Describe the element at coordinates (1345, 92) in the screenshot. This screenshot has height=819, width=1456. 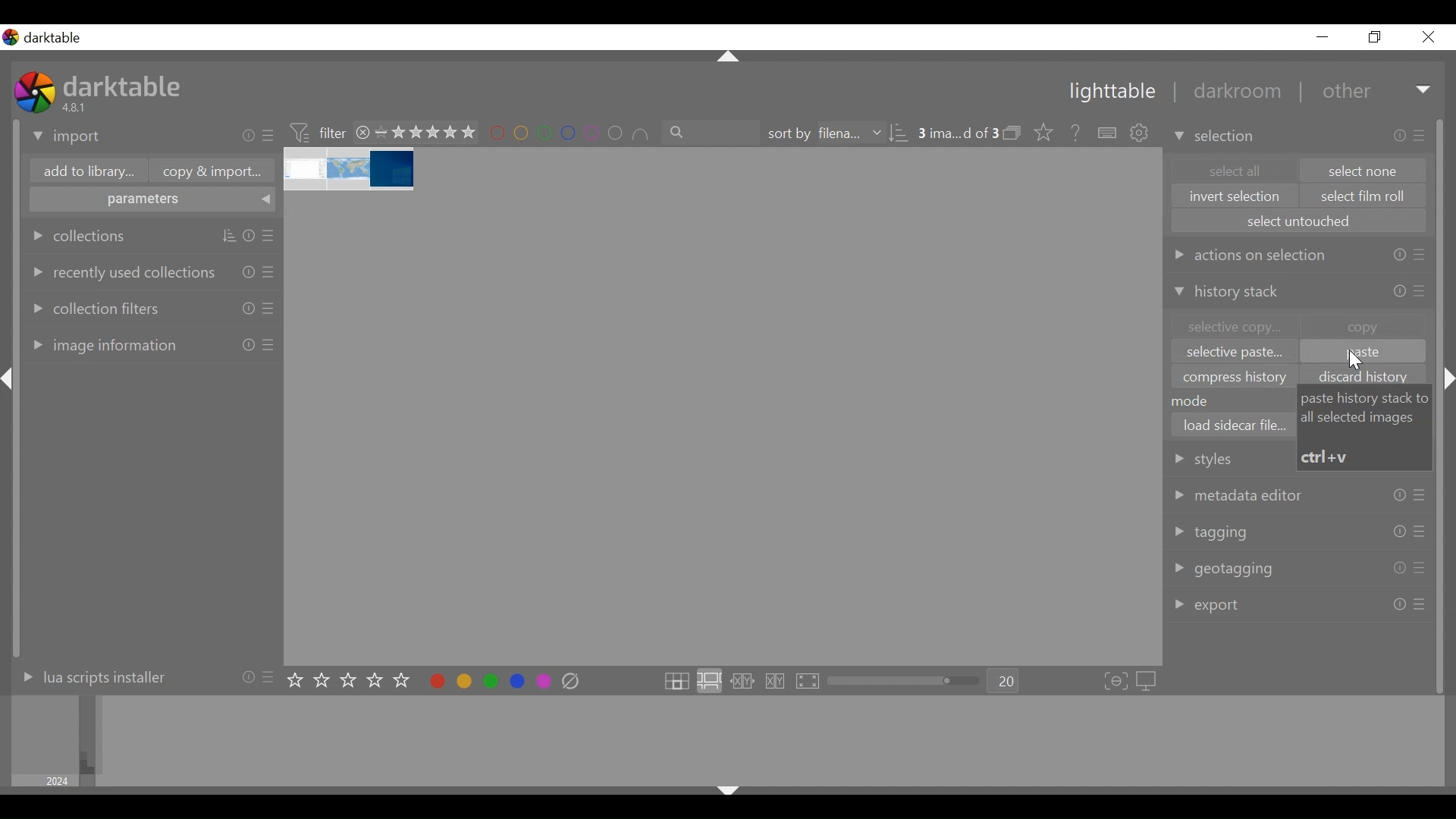
I see `other` at that location.